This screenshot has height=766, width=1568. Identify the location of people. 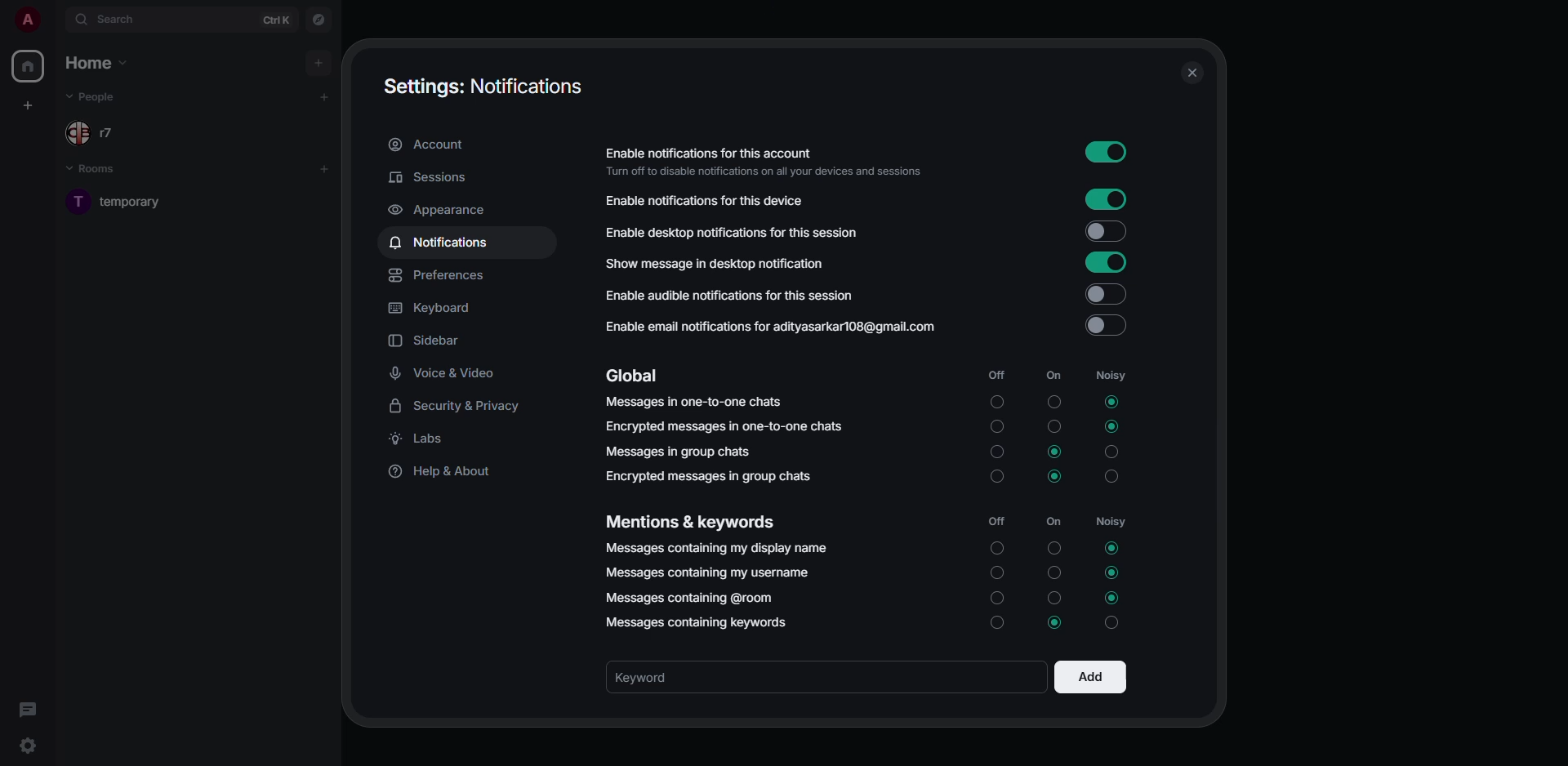
(99, 96).